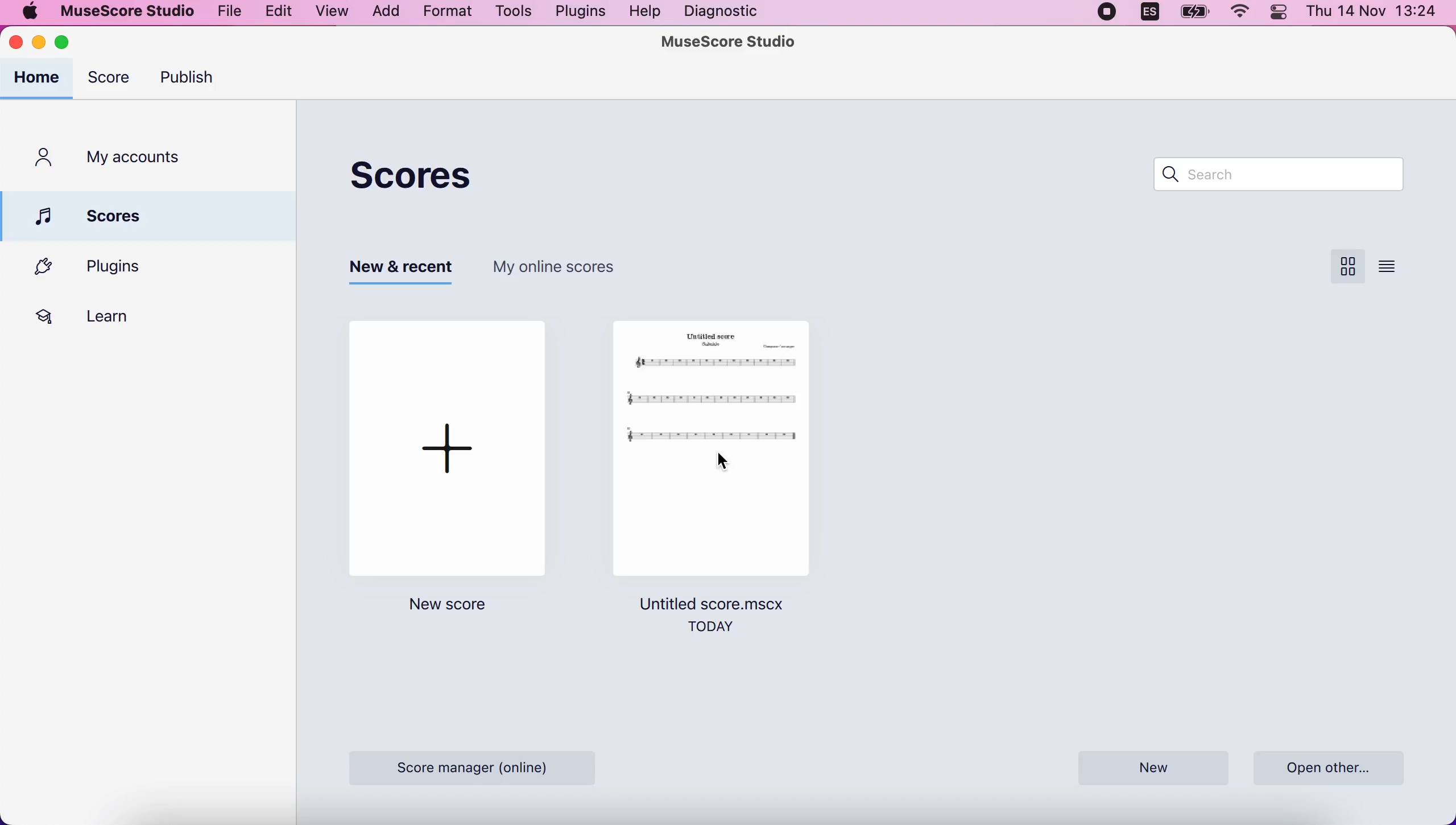 The image size is (1456, 825). What do you see at coordinates (103, 315) in the screenshot?
I see `learn` at bounding box center [103, 315].